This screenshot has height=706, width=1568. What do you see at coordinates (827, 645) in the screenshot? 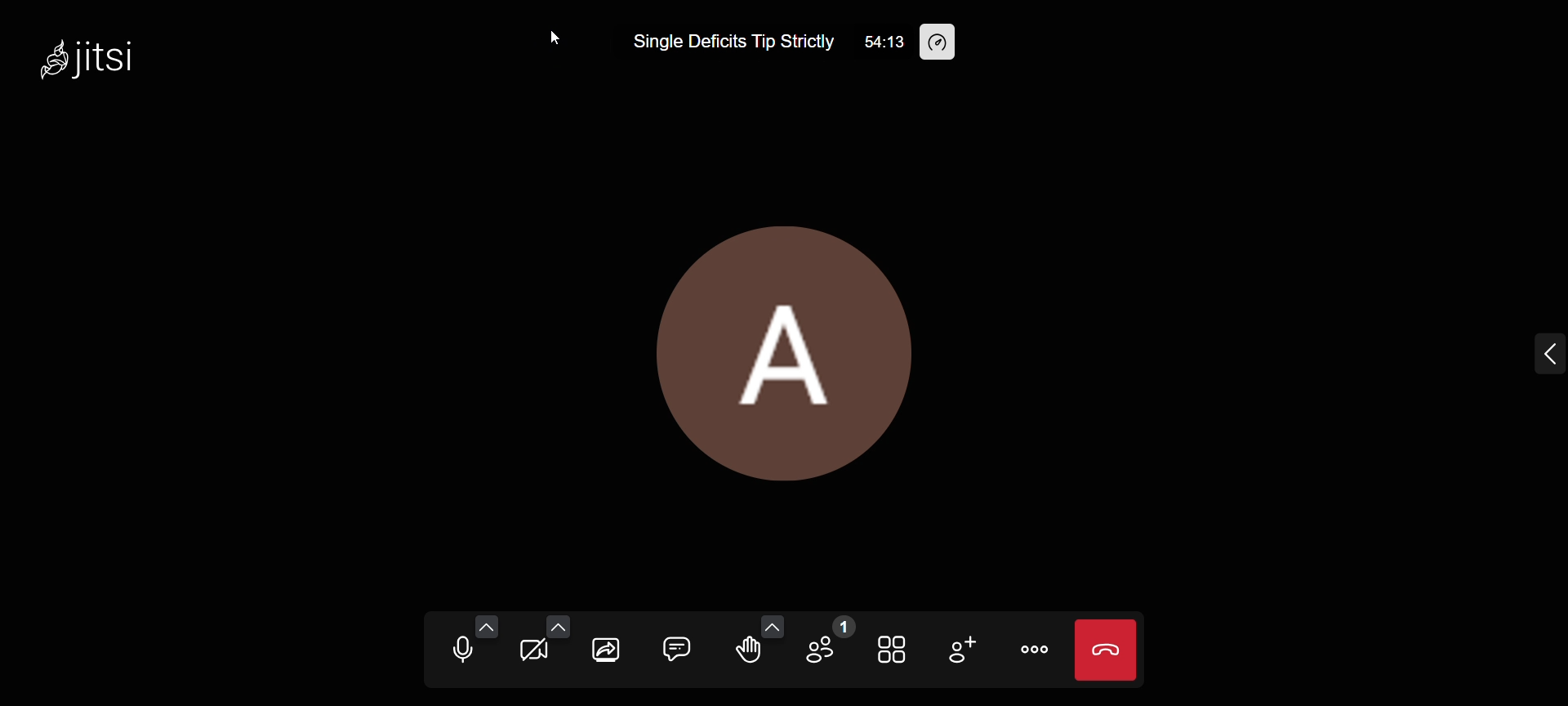
I see `participants ` at bounding box center [827, 645].